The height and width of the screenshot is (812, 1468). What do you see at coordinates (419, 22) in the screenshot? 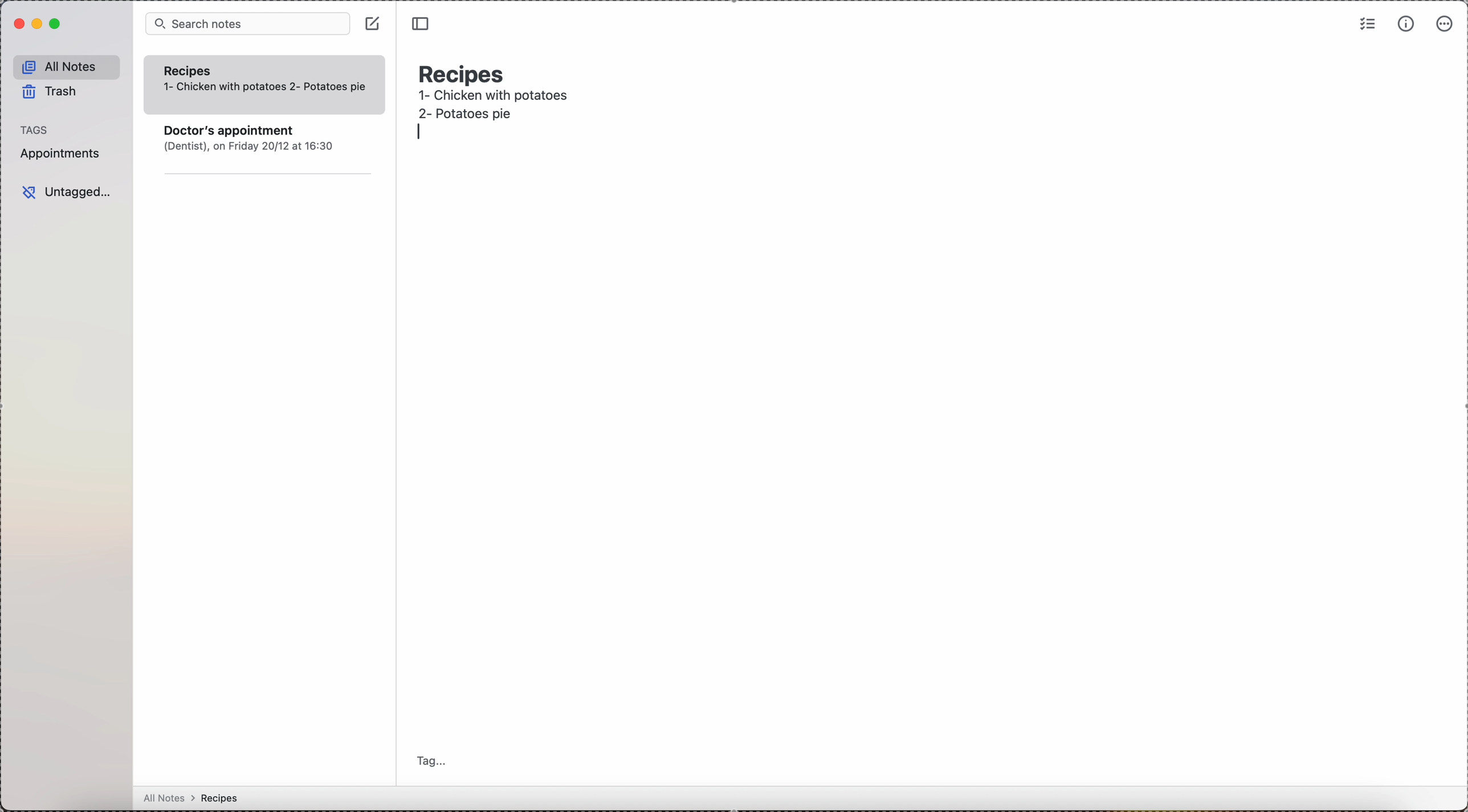
I see `toggle sidebar` at bounding box center [419, 22].